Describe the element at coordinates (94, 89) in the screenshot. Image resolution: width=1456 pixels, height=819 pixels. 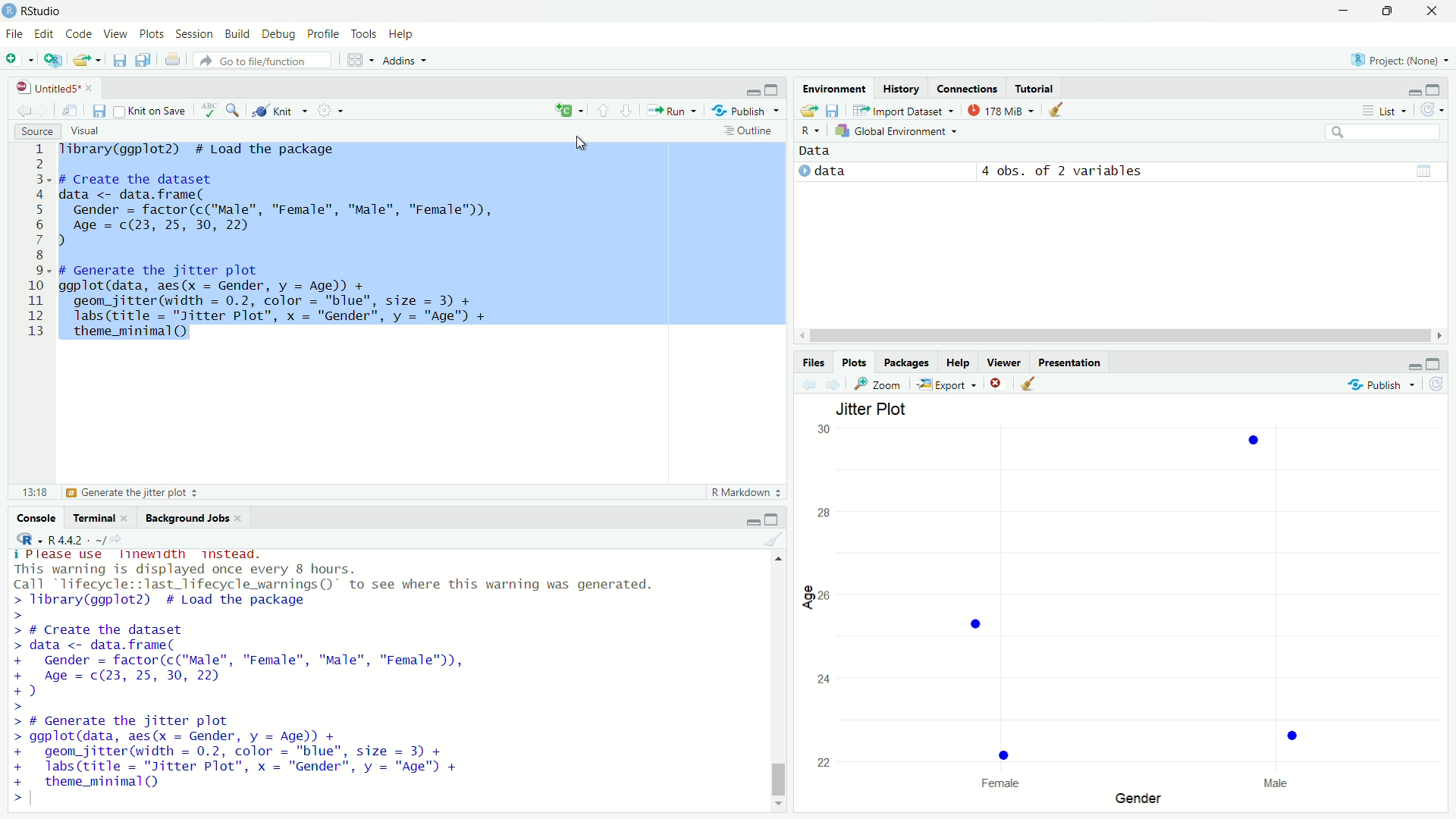
I see `close` at that location.